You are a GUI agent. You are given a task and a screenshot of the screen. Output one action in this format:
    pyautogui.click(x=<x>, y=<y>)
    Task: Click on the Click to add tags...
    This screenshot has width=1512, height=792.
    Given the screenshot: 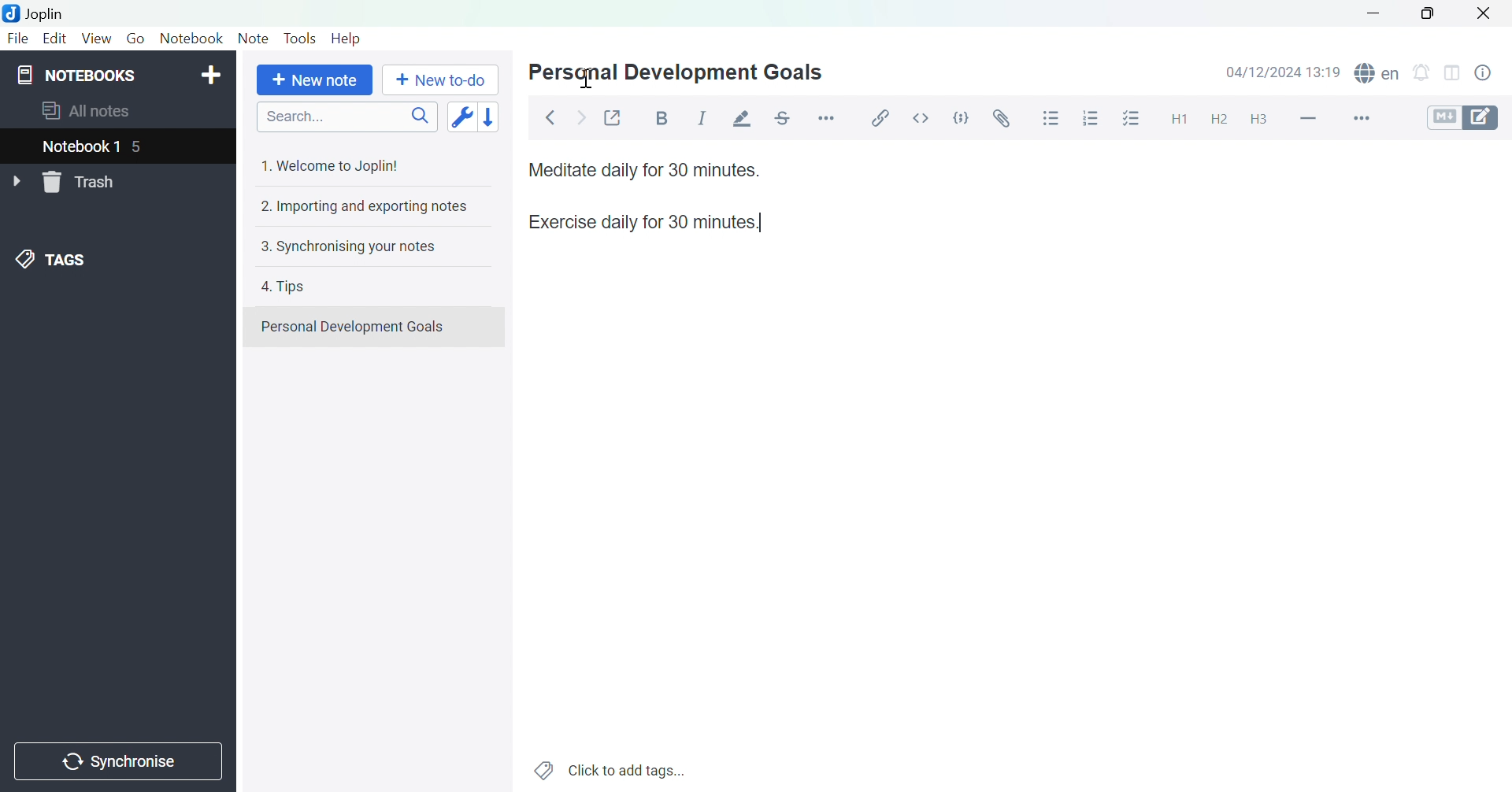 What is the action you would take?
    pyautogui.click(x=610, y=769)
    